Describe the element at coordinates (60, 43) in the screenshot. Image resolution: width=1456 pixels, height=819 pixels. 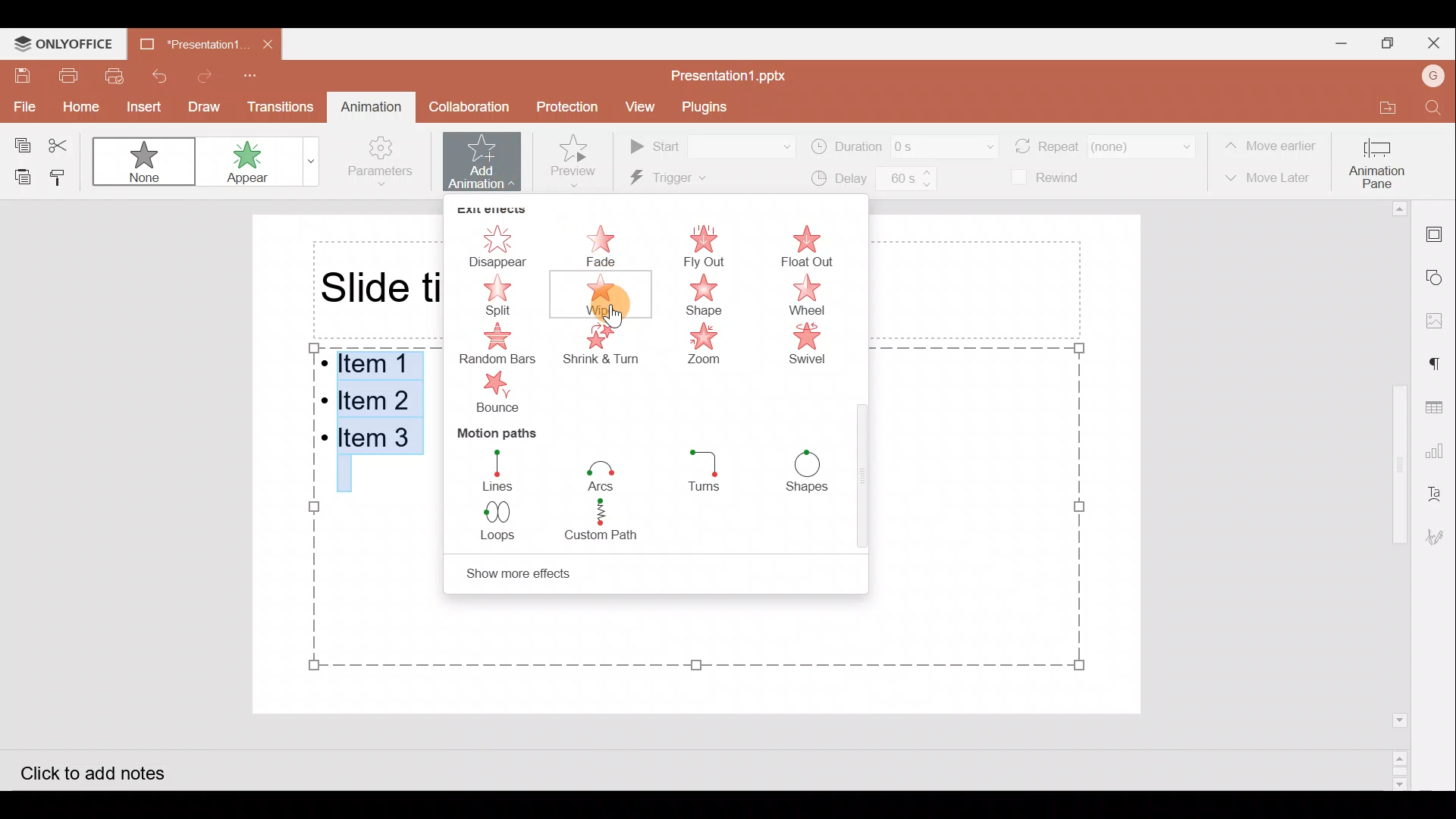
I see `ONLYOFFICE` at that location.